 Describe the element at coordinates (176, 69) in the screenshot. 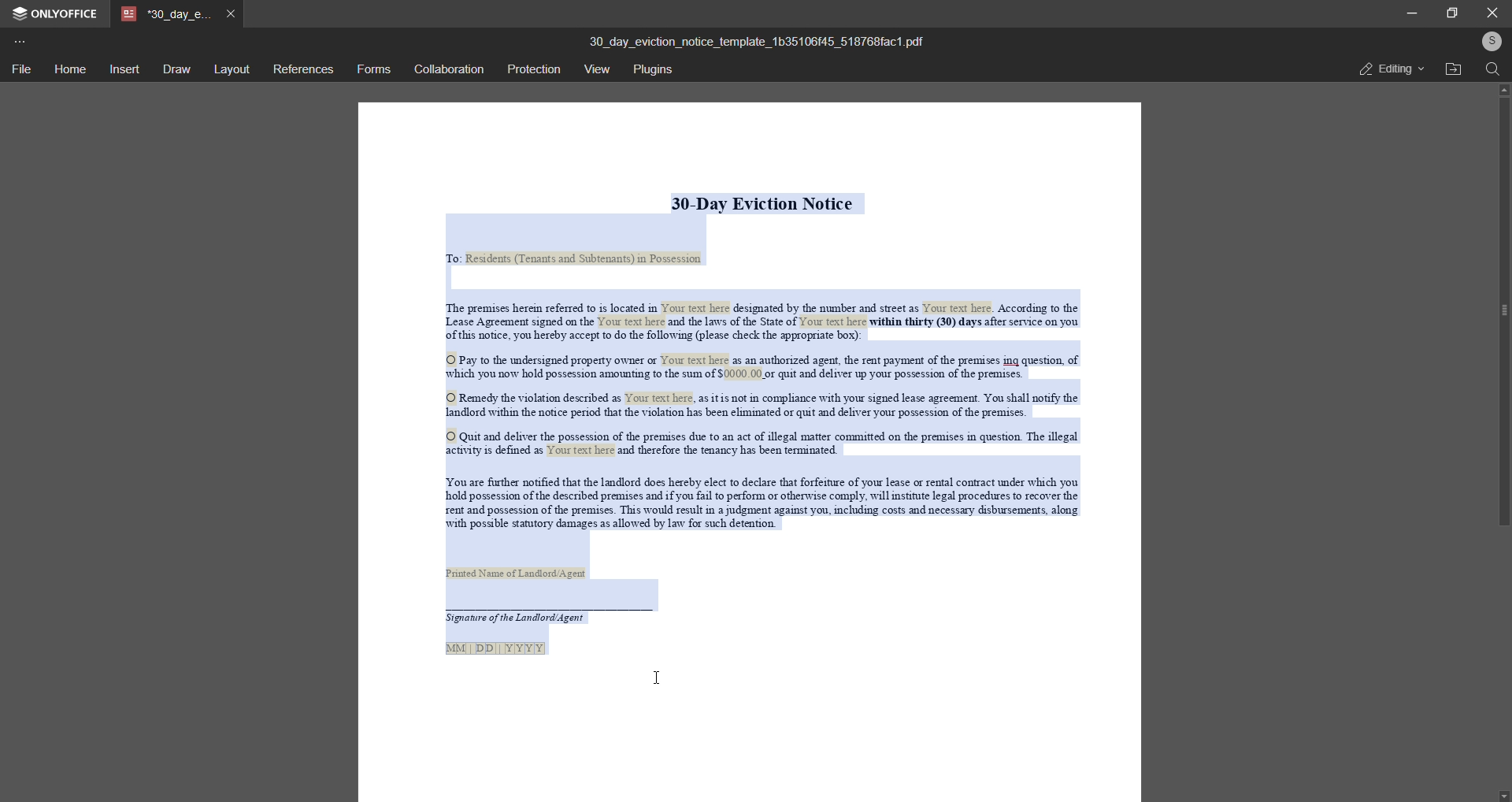

I see `draw` at that location.